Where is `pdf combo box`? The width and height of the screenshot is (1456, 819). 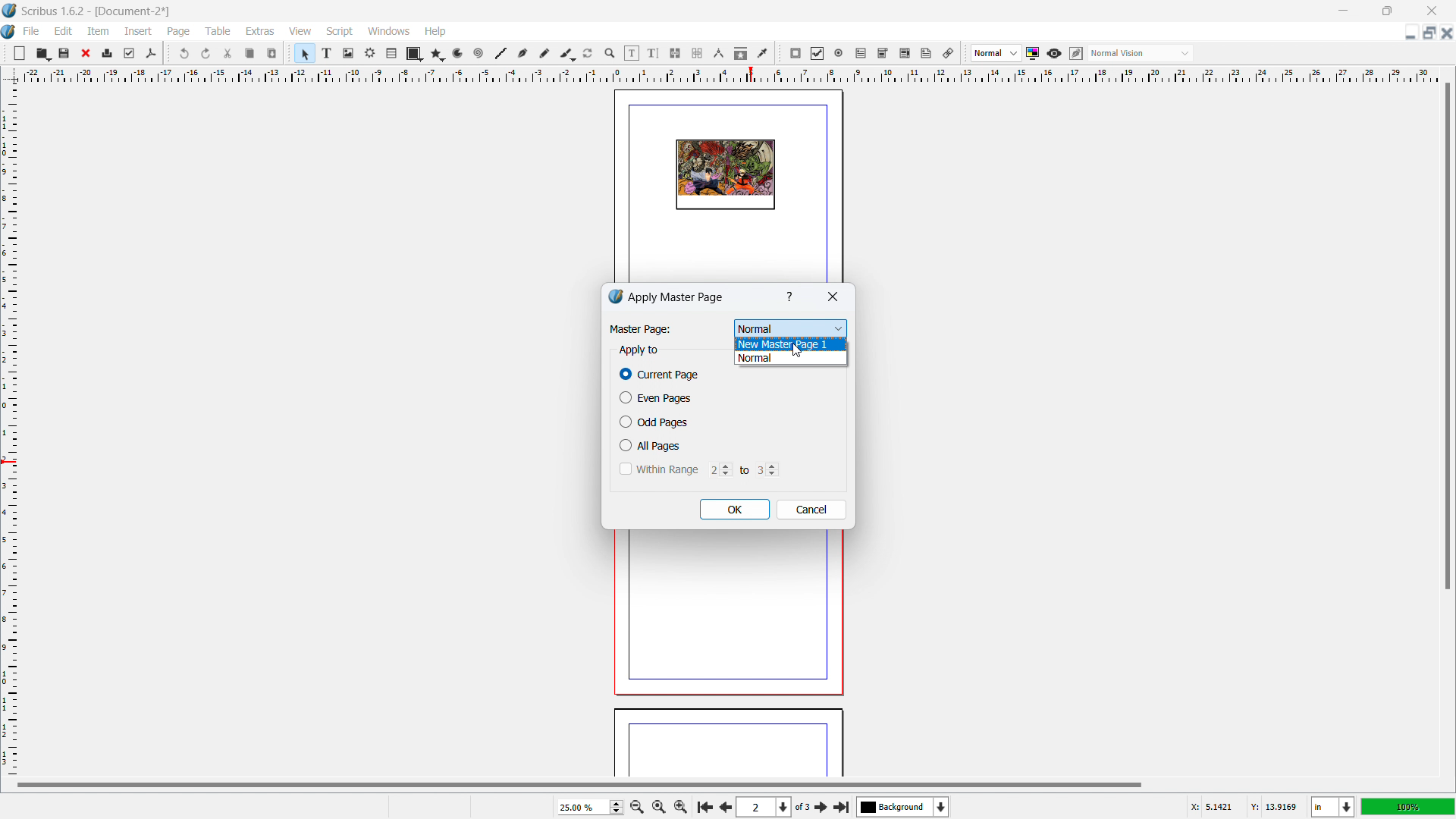
pdf combo box is located at coordinates (882, 53).